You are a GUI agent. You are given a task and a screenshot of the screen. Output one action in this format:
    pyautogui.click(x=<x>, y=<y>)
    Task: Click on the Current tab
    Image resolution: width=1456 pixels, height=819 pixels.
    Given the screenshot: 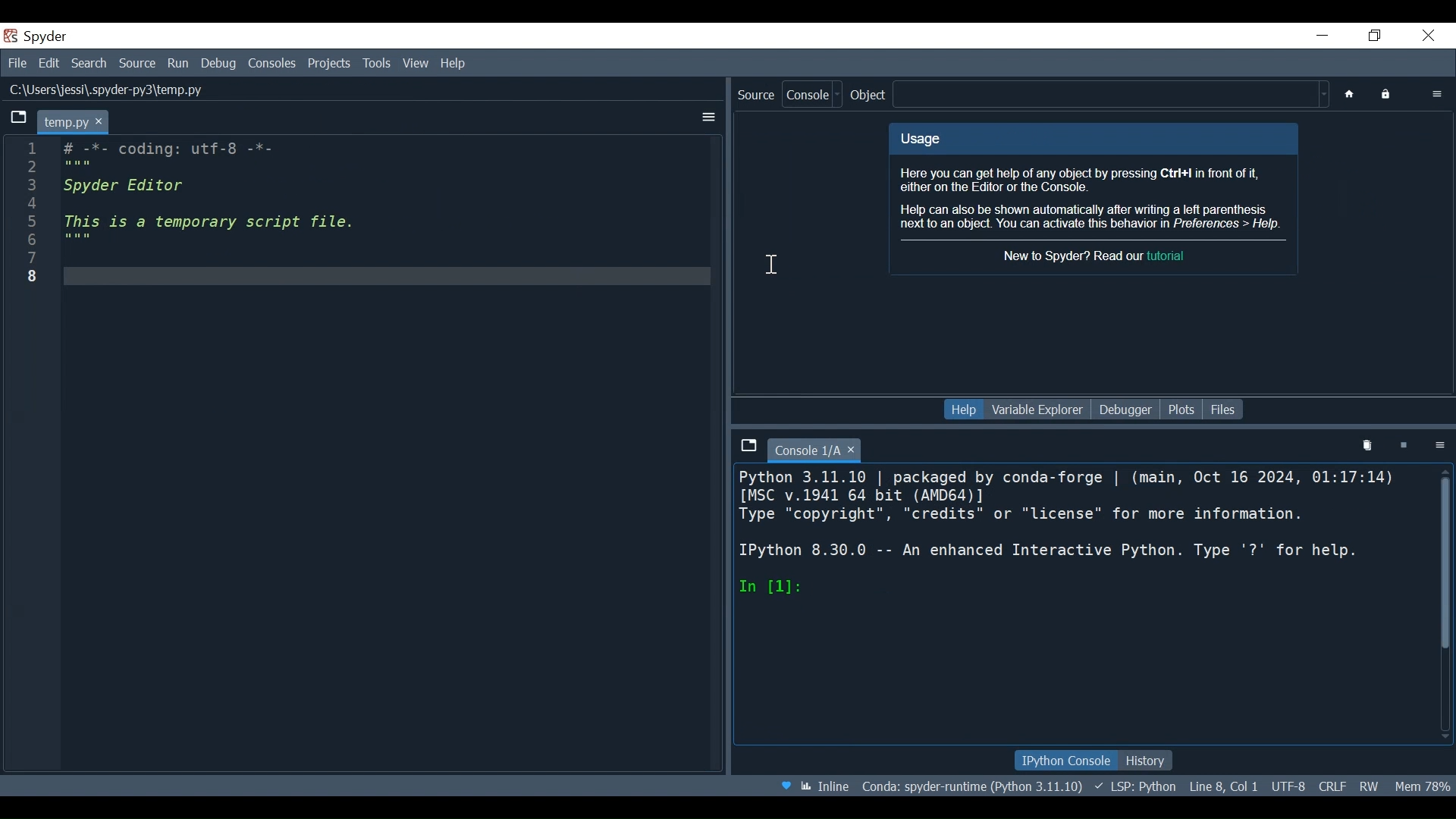 What is the action you would take?
    pyautogui.click(x=814, y=450)
    